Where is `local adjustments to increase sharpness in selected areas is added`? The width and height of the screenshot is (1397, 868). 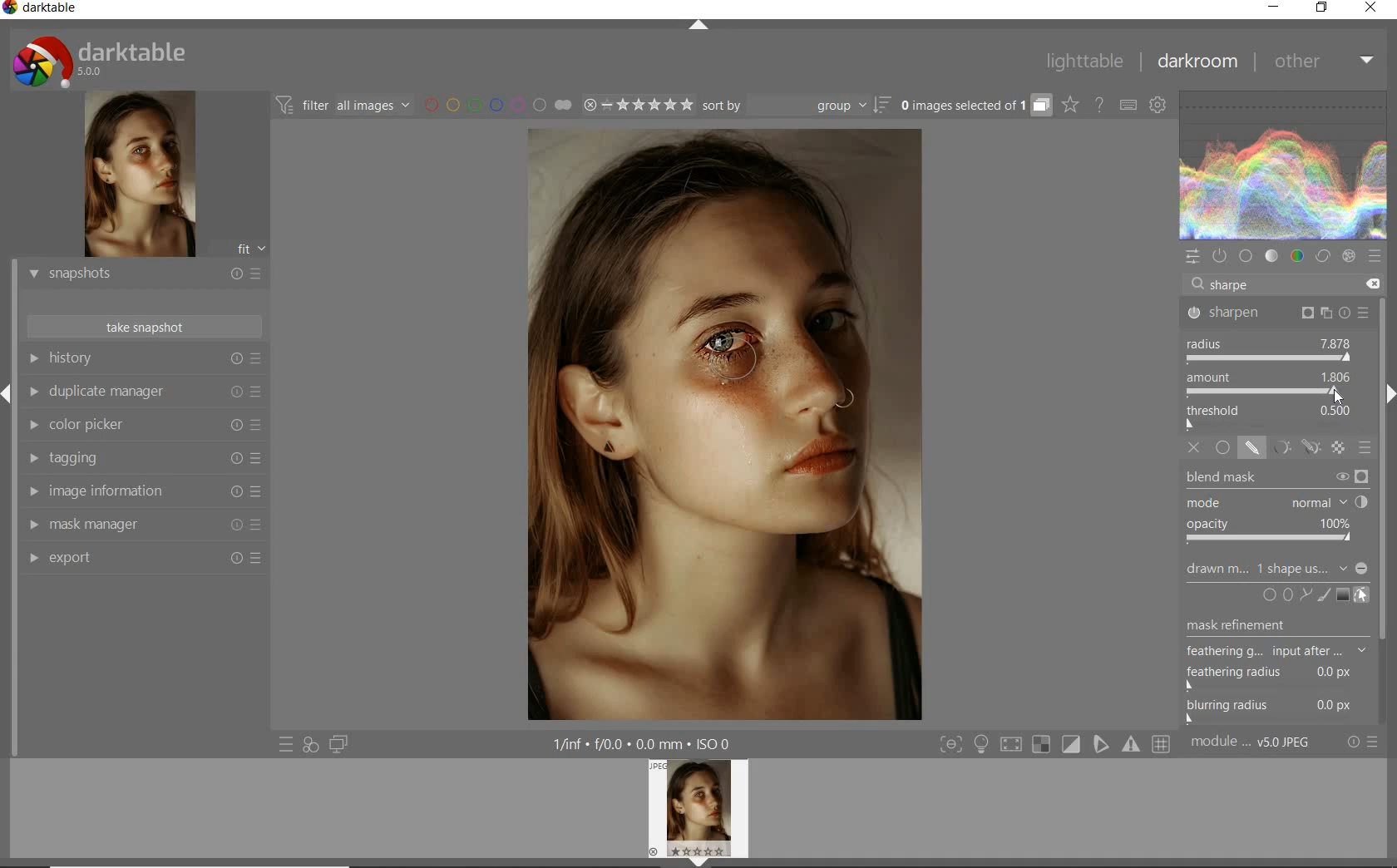 local adjustments to increase sharpness in selected areas is added is located at coordinates (741, 427).